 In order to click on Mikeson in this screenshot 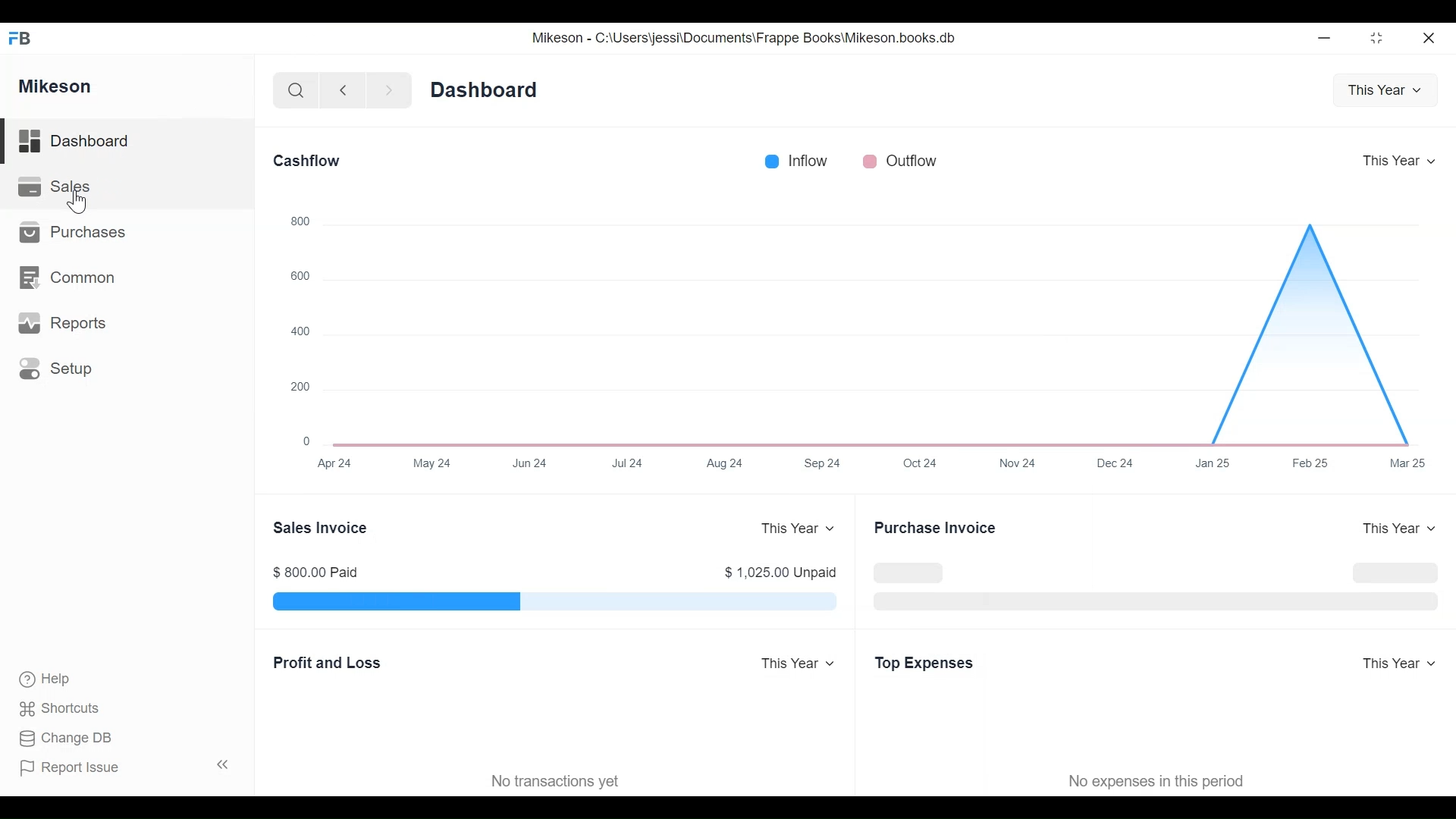, I will do `click(56, 84)`.